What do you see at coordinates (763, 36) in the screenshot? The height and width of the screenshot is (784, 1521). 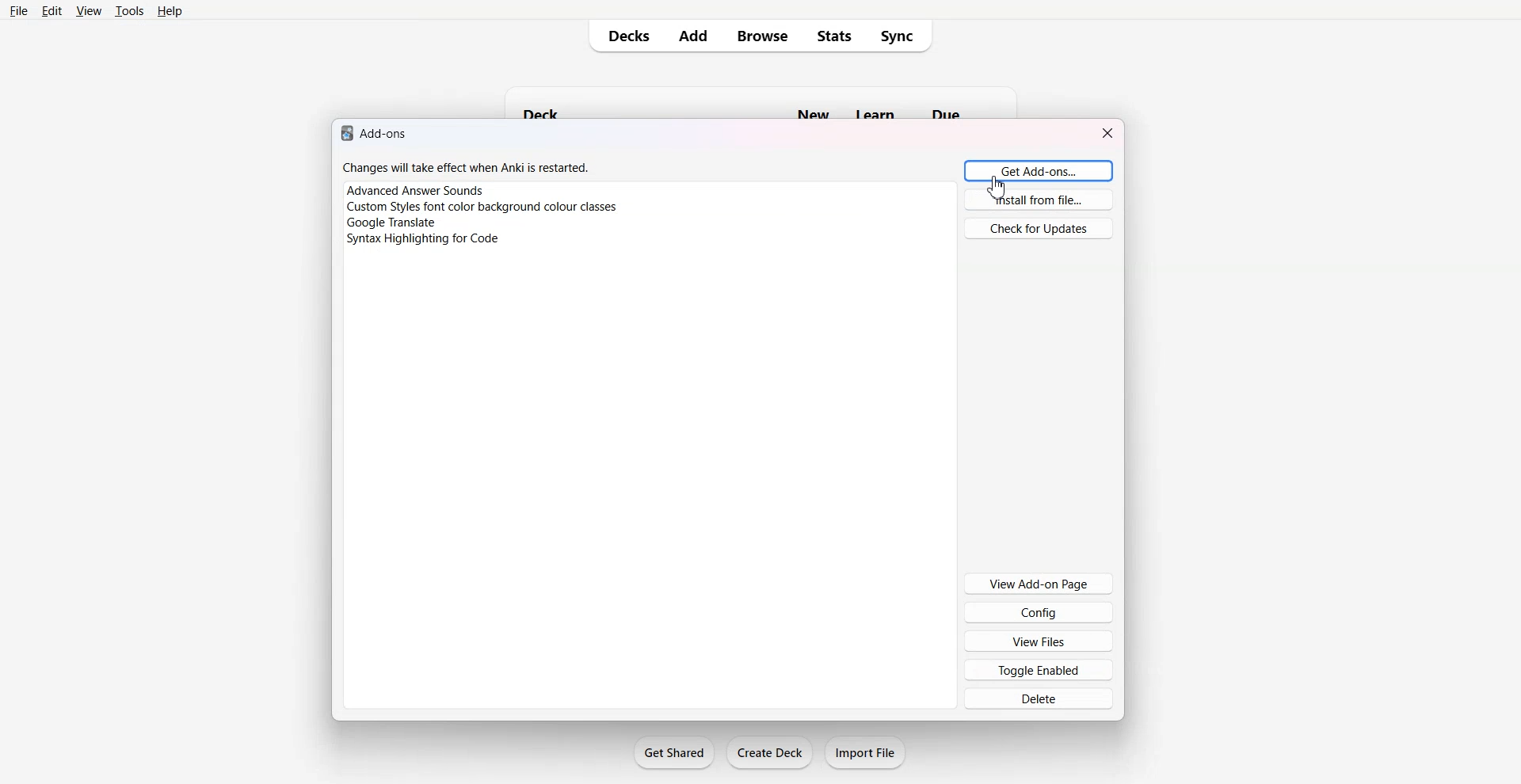 I see `Browse` at bounding box center [763, 36].